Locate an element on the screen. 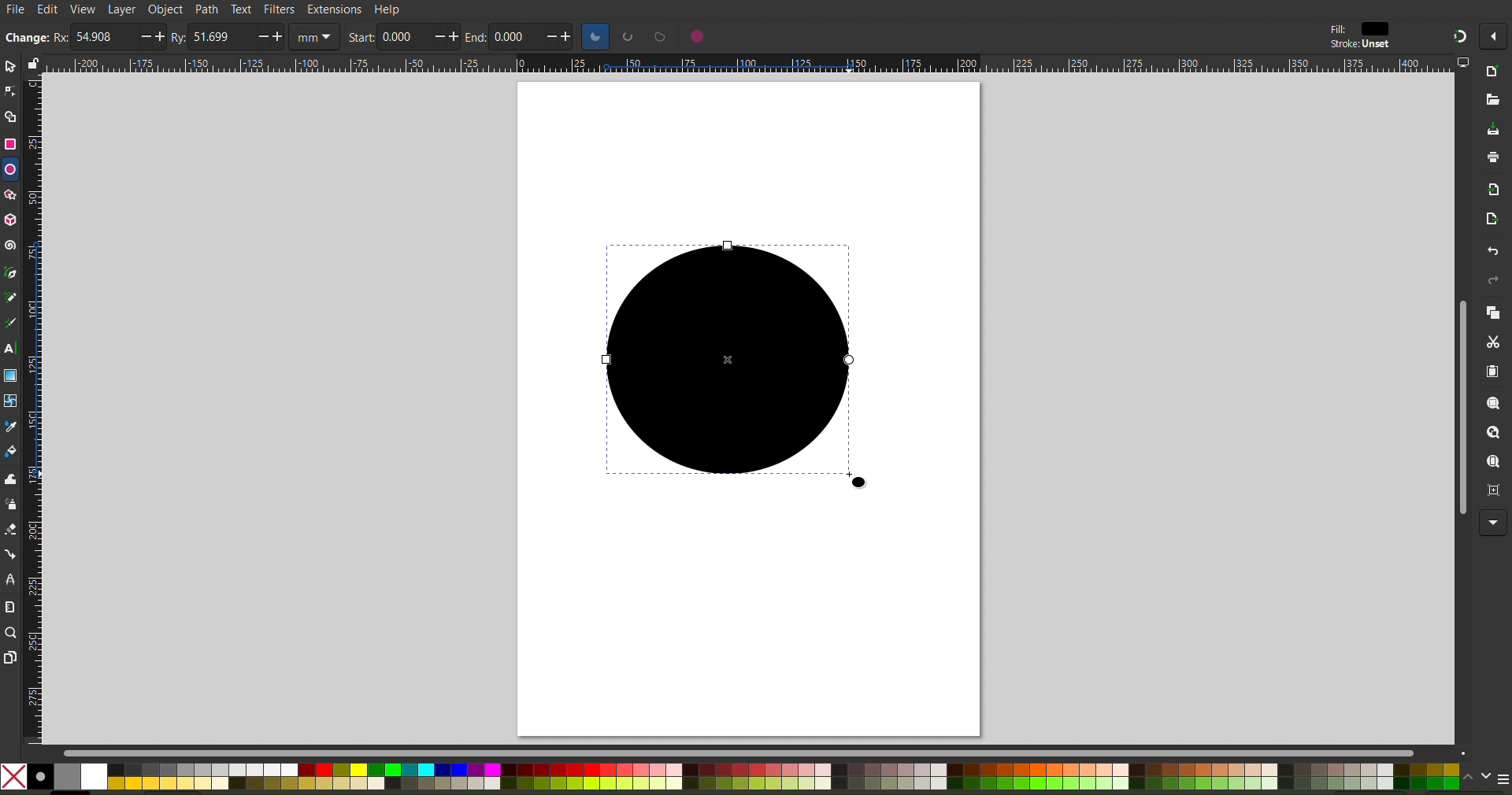 This screenshot has height=795, width=1512. Node Tool is located at coordinates (9, 94).